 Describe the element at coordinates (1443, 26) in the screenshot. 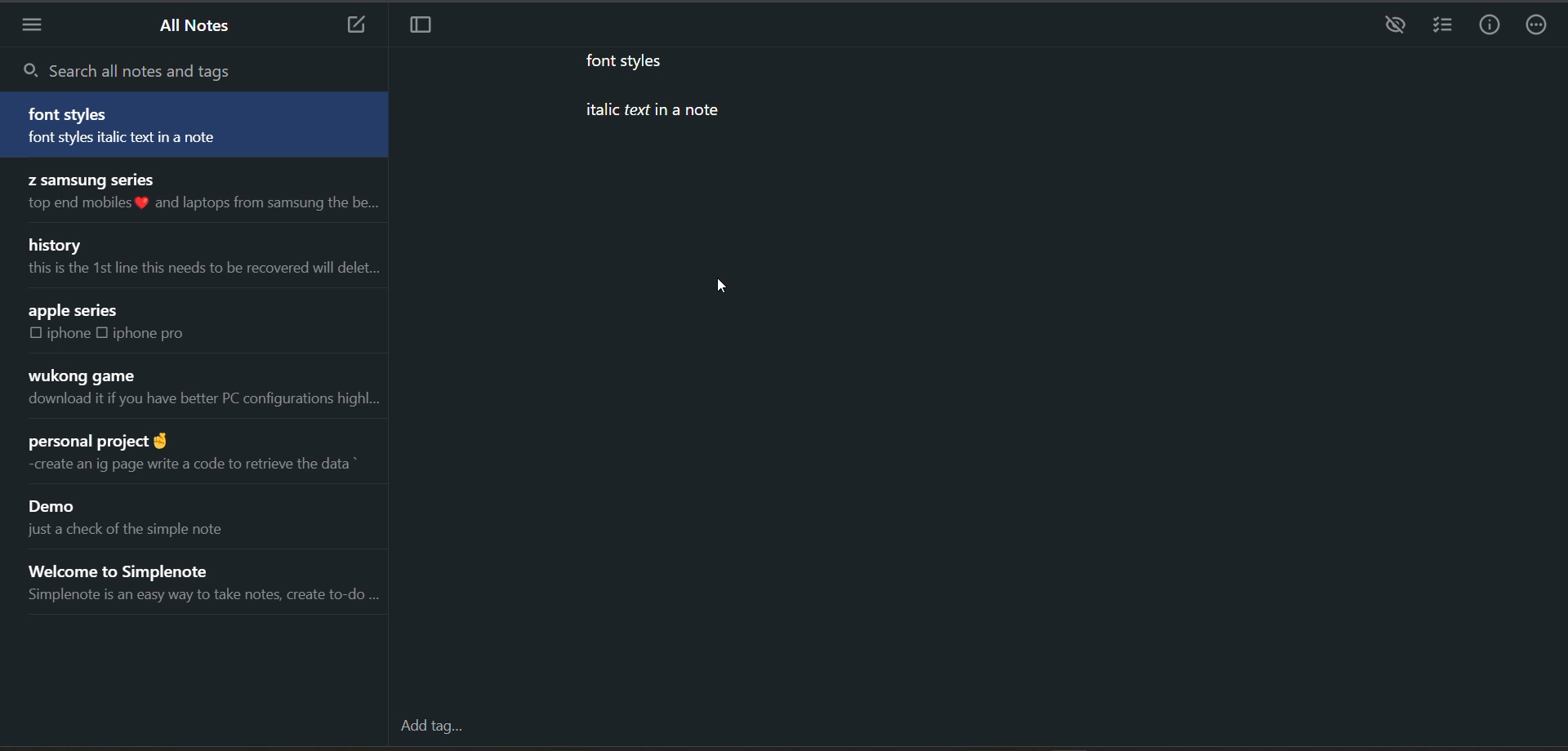

I see `insert checklist` at that location.